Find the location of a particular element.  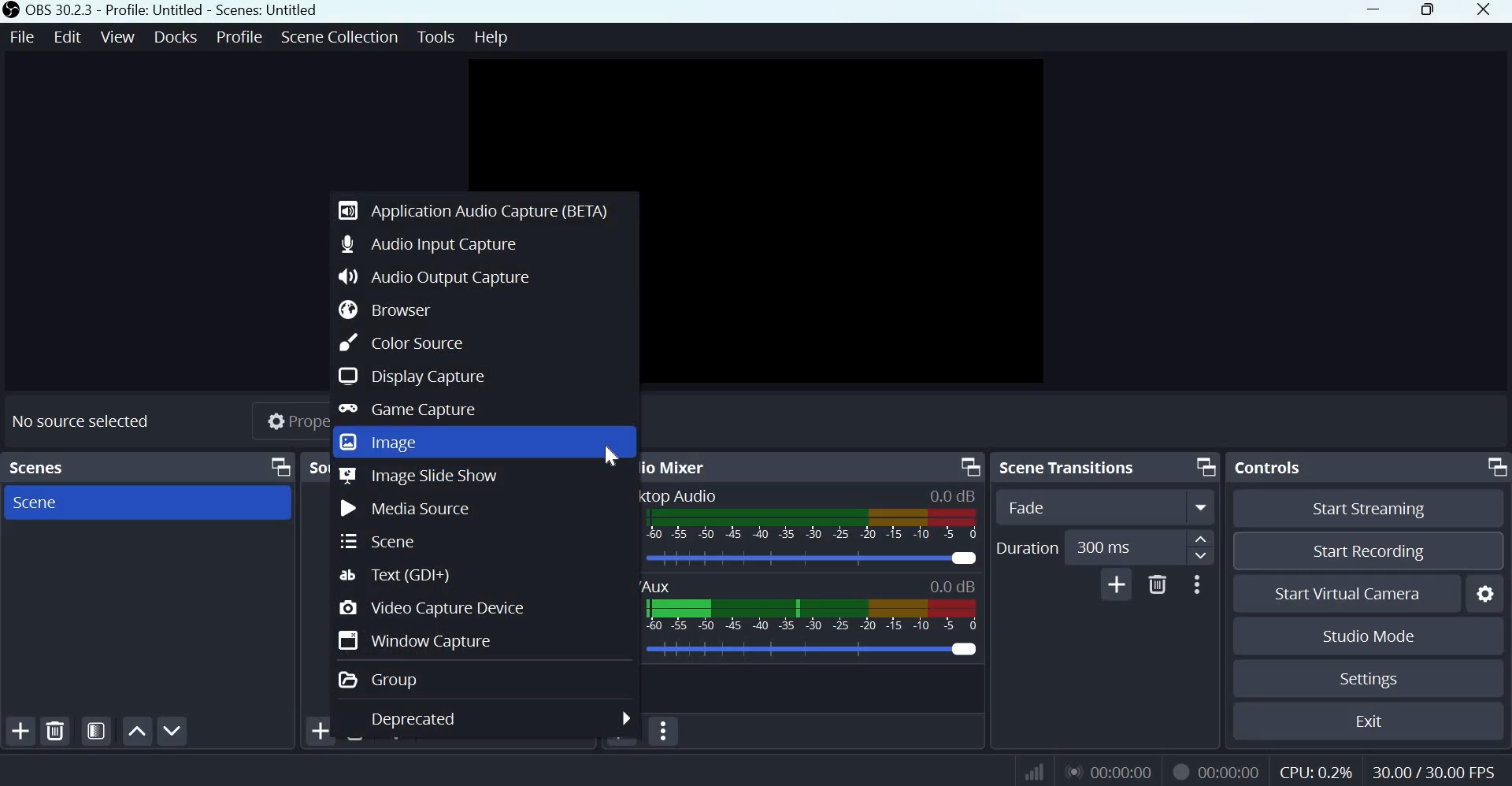

Windows size toggle is located at coordinates (1428, 11).